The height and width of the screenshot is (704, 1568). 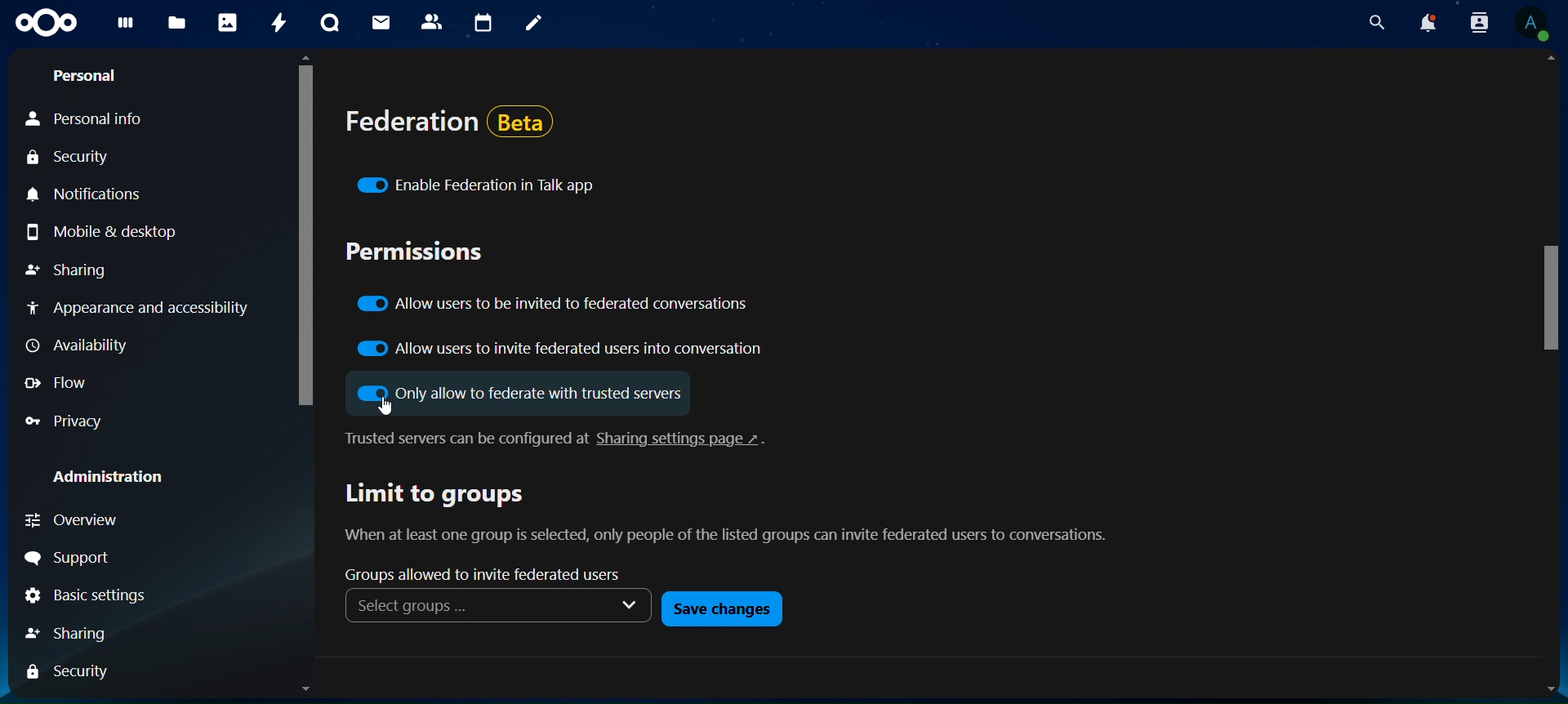 What do you see at coordinates (1546, 305) in the screenshot?
I see `scroll bar ` at bounding box center [1546, 305].